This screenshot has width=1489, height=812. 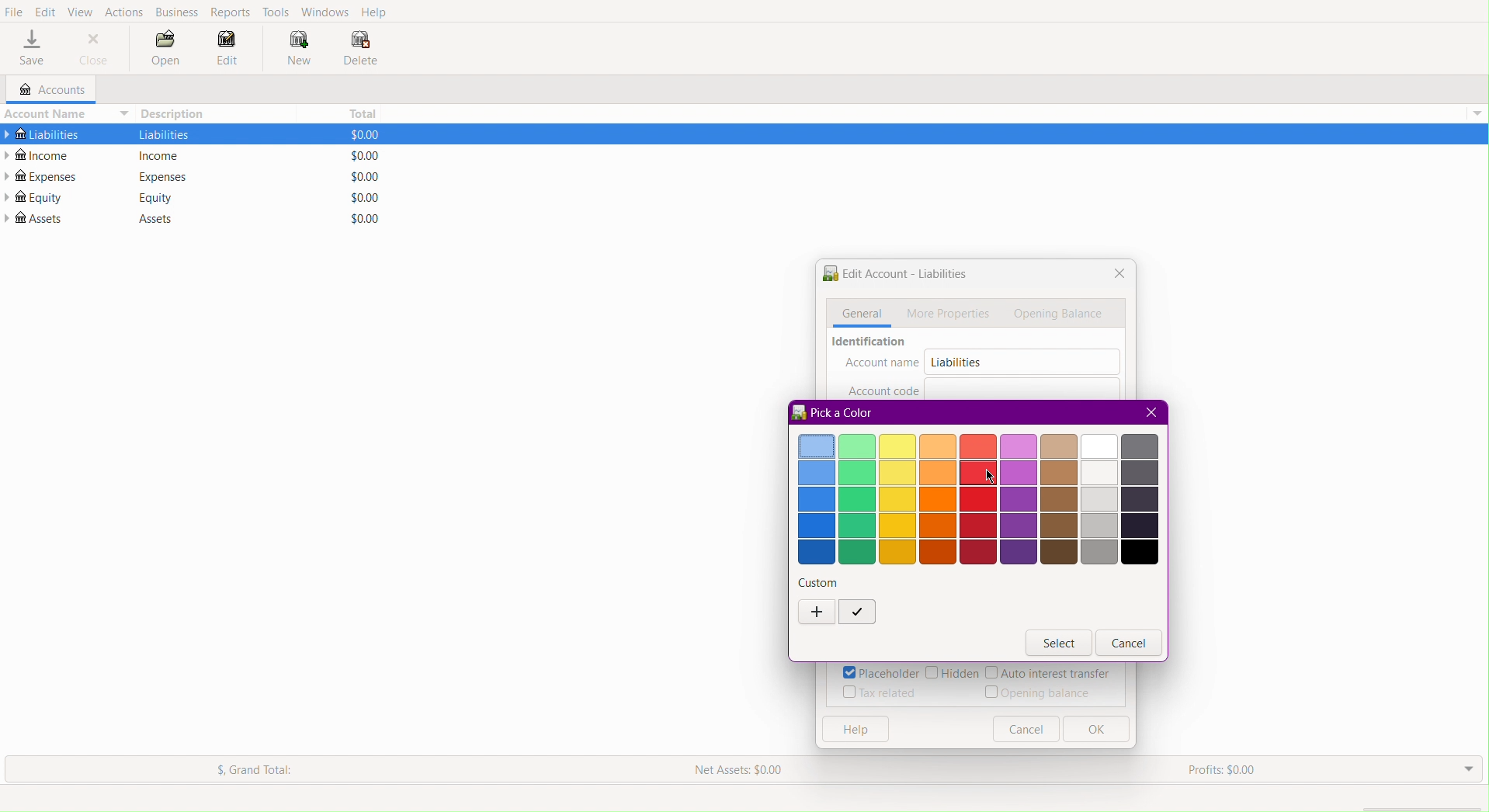 I want to click on Opening Balance, so click(x=1061, y=314).